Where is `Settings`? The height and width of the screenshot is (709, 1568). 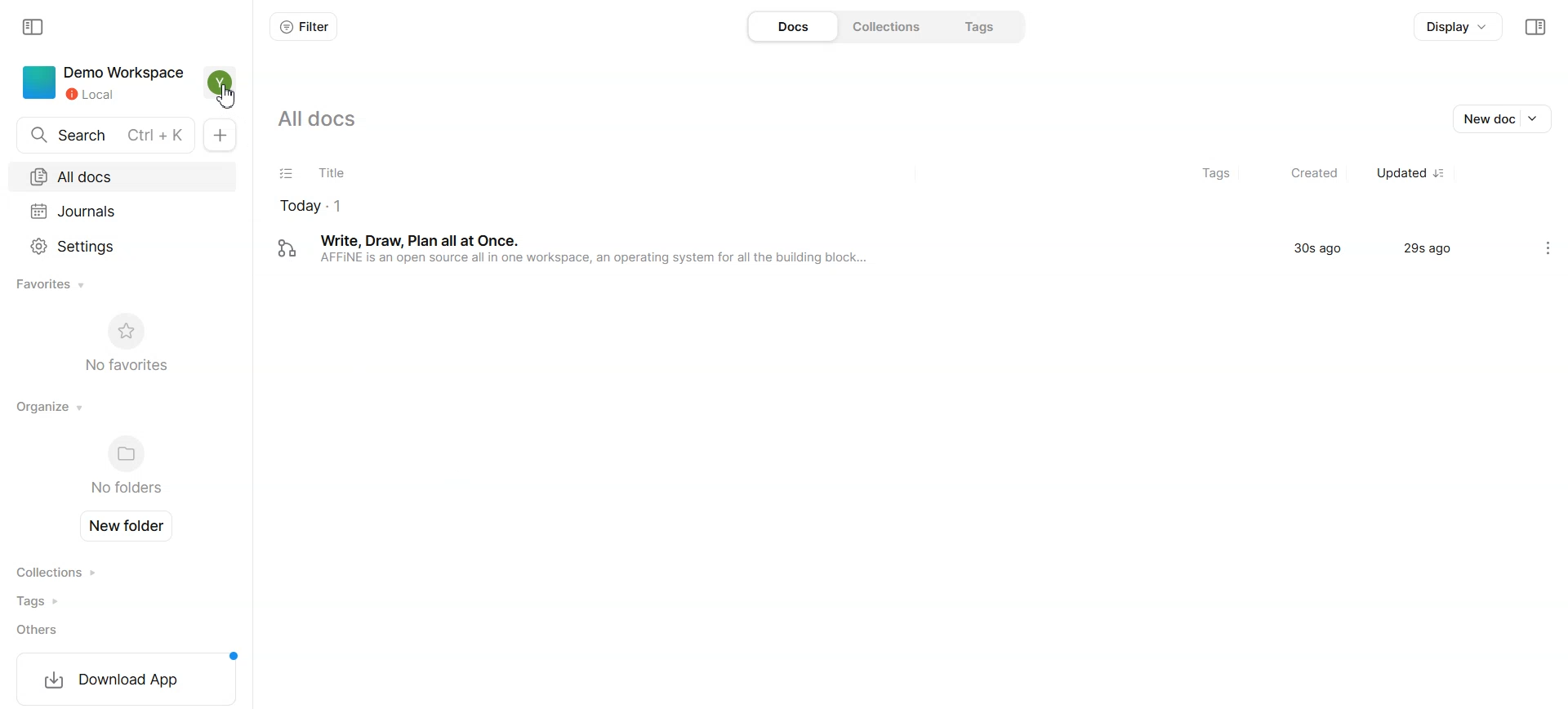 Settings is located at coordinates (1548, 248).